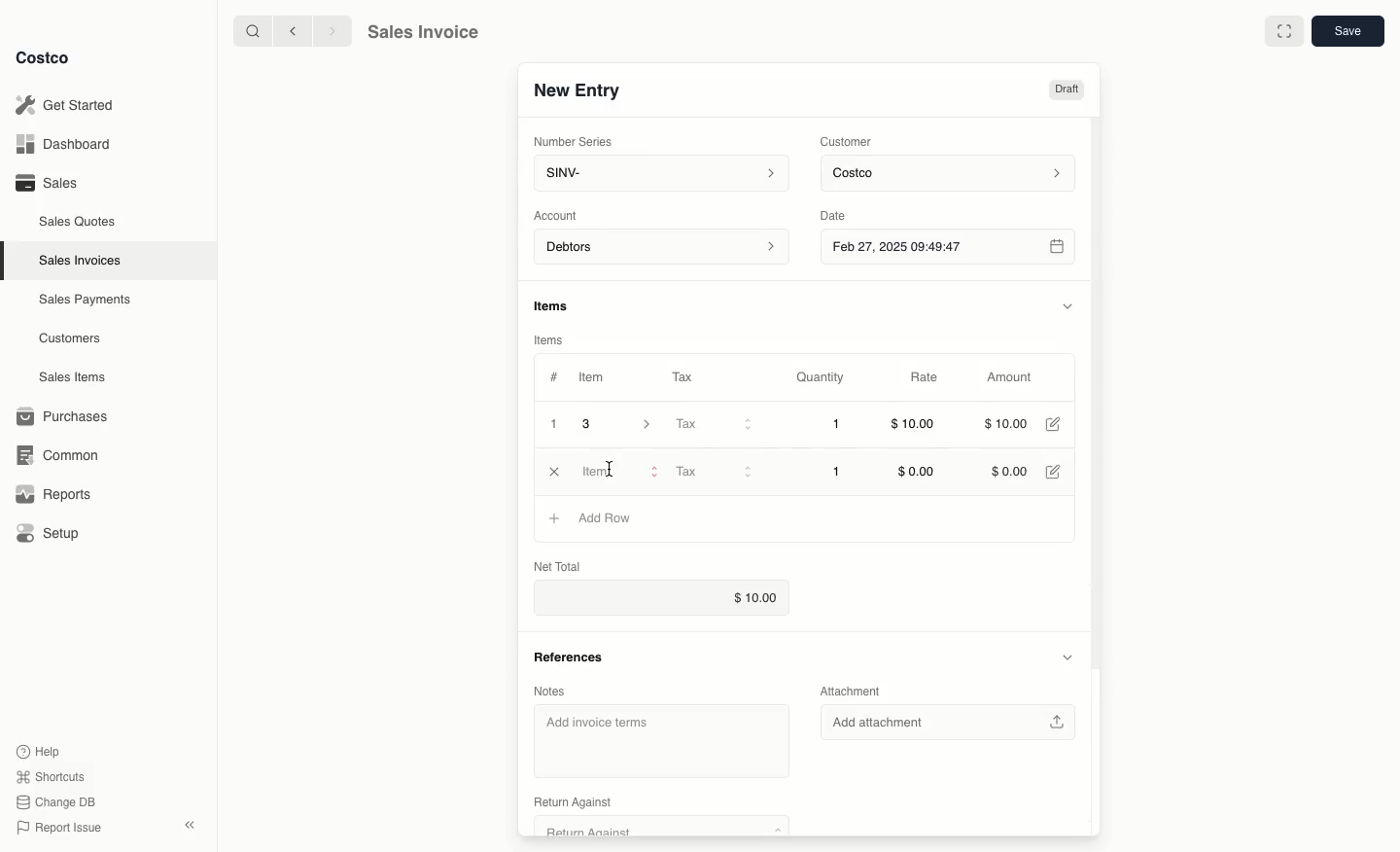 Image resolution: width=1400 pixels, height=852 pixels. I want to click on SINV-, so click(657, 175).